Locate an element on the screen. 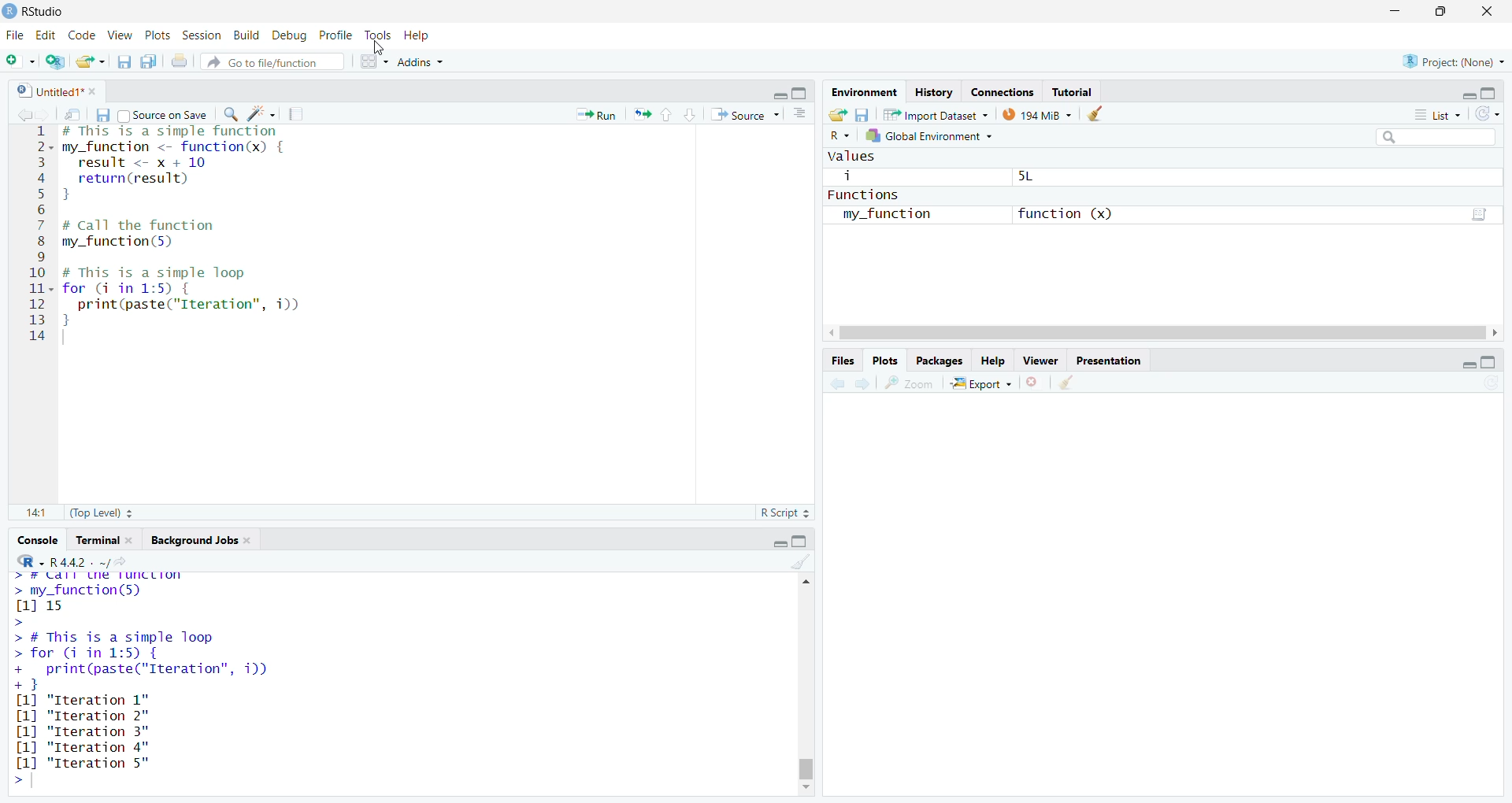 The height and width of the screenshot is (803, 1512). import dataset is located at coordinates (936, 117).